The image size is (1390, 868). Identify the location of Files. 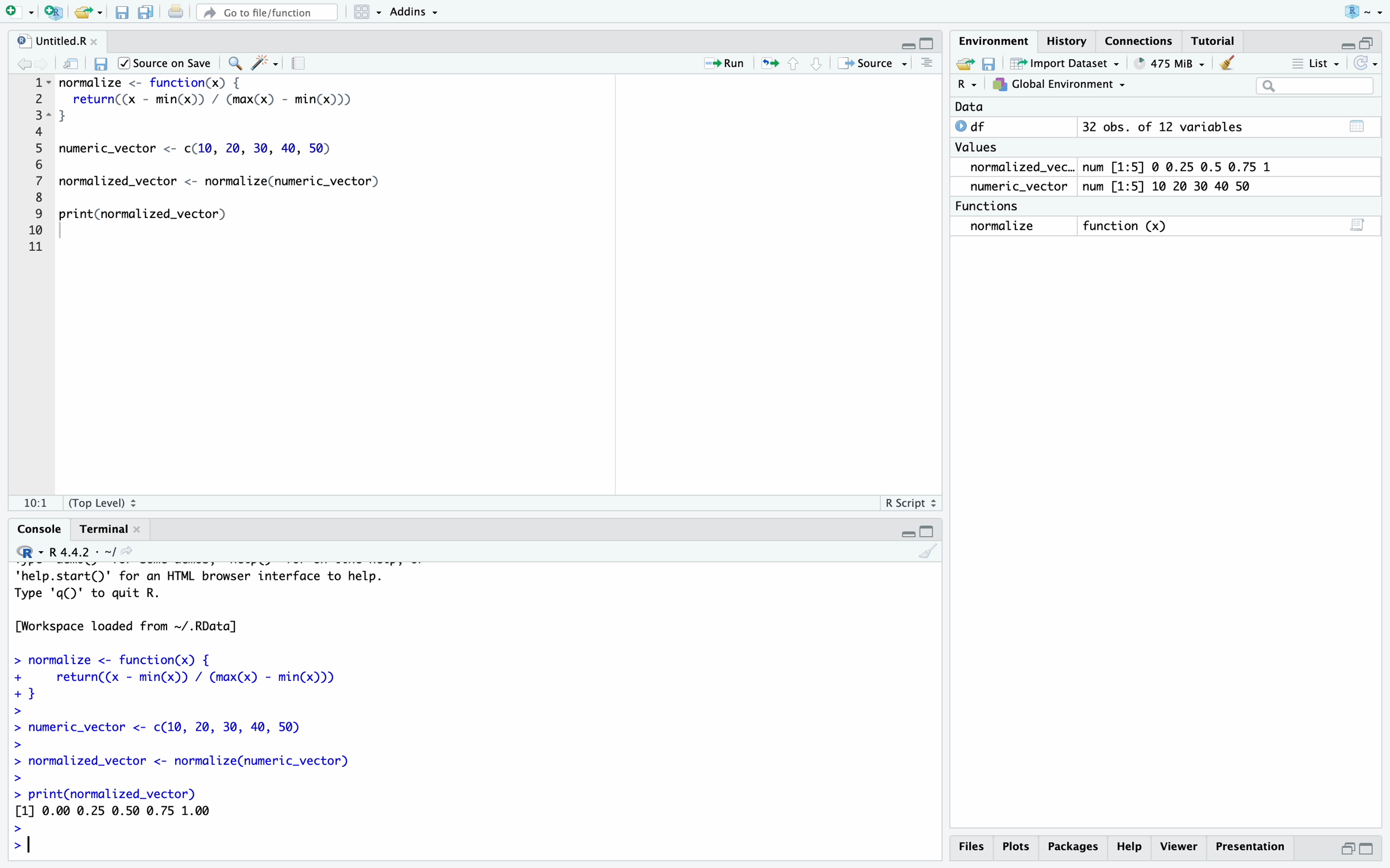
(971, 846).